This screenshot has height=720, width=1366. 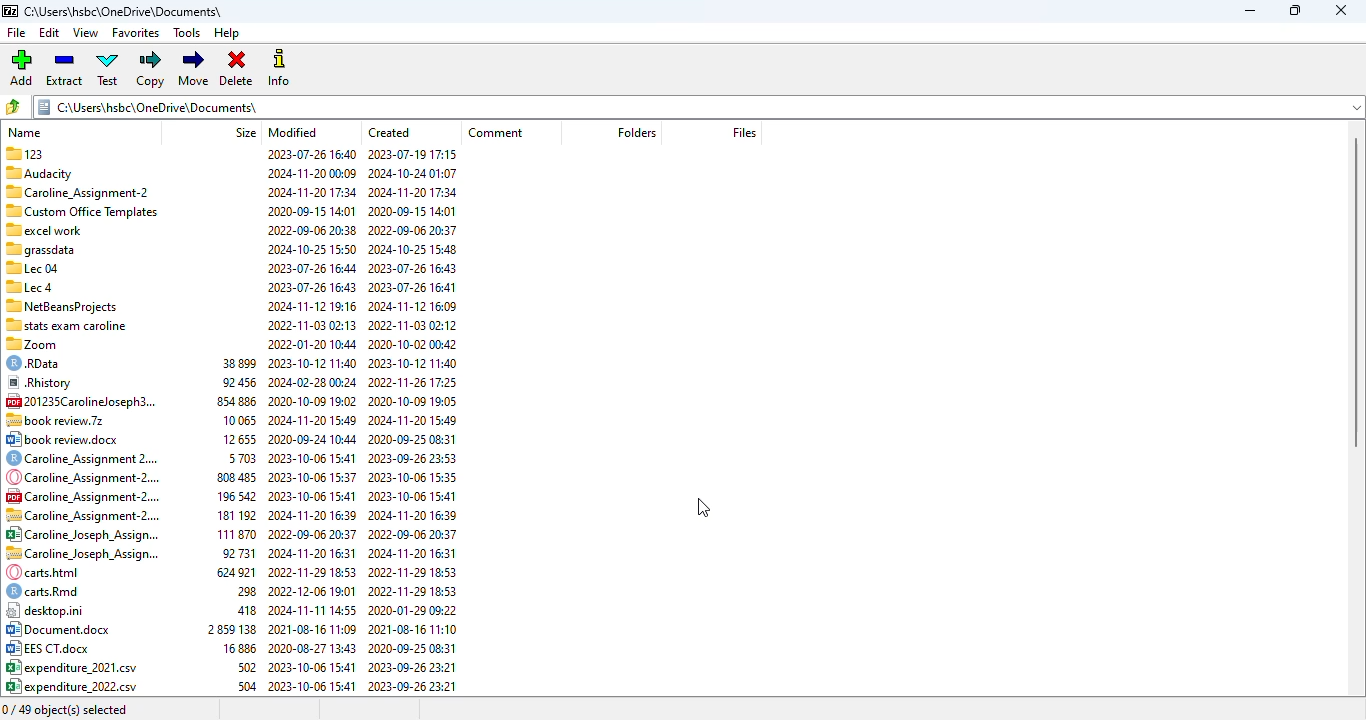 I want to click on size, so click(x=246, y=132).